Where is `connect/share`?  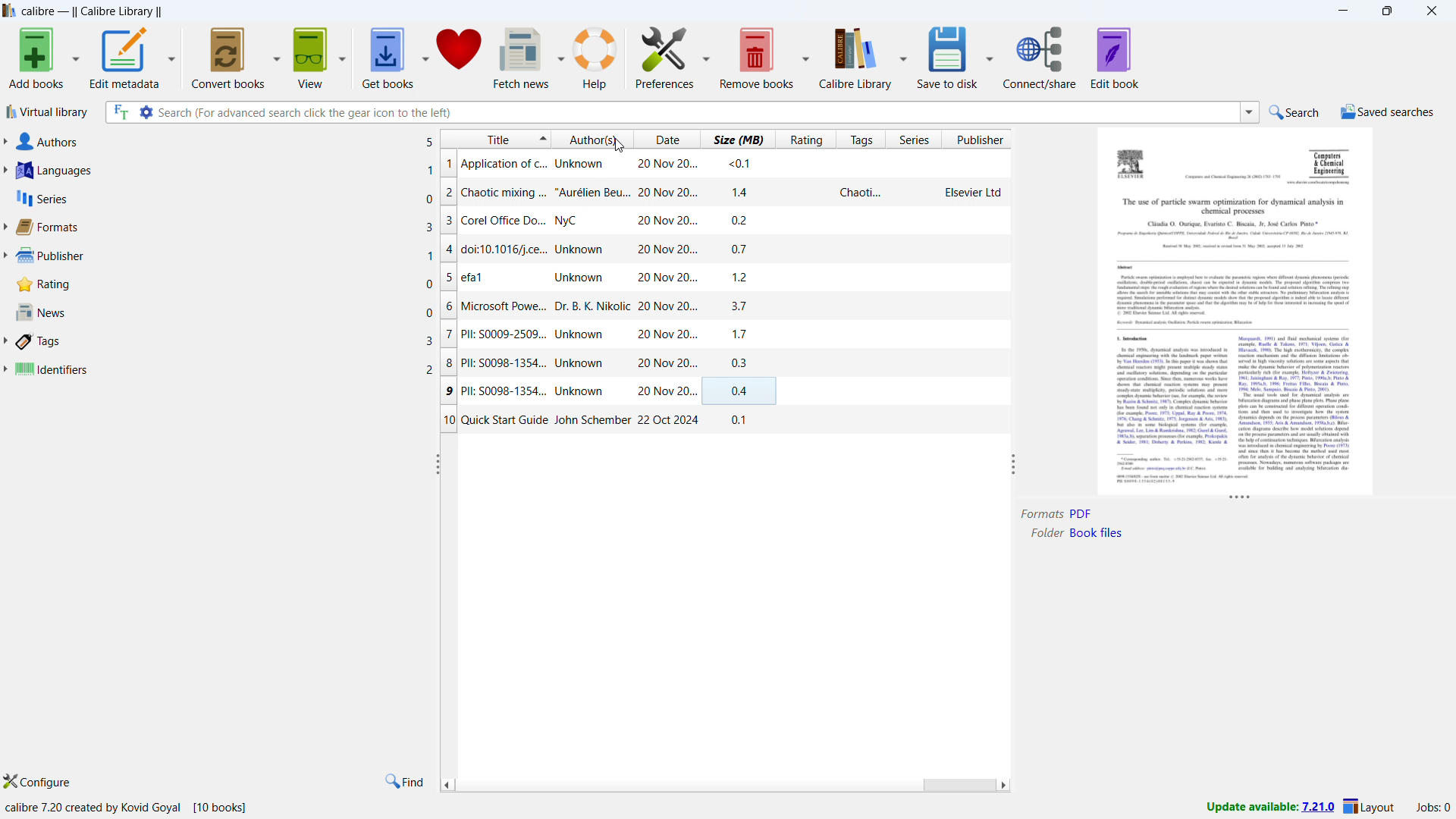
connect/share is located at coordinates (1040, 57).